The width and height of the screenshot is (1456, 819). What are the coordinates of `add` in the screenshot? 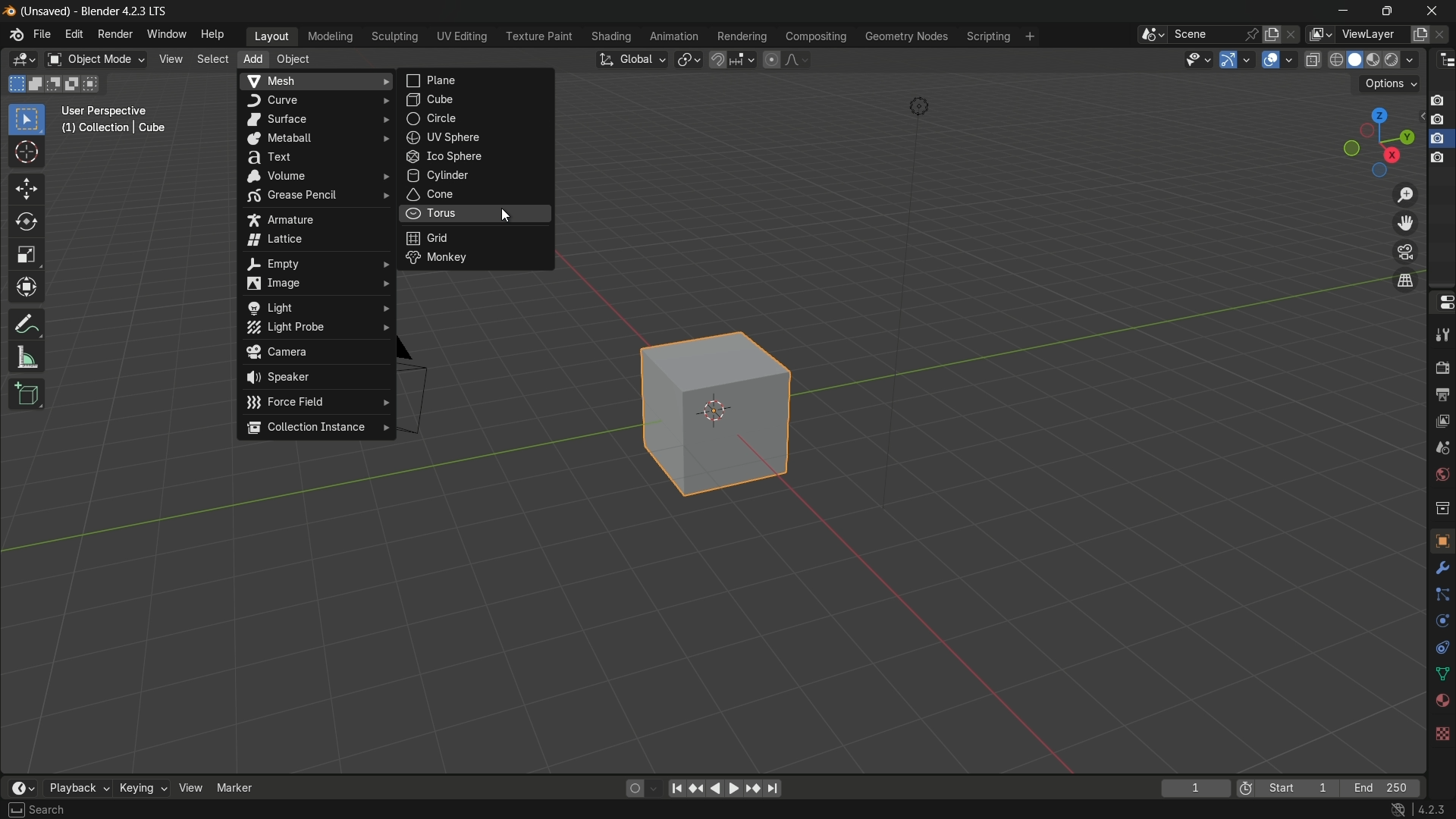 It's located at (253, 58).